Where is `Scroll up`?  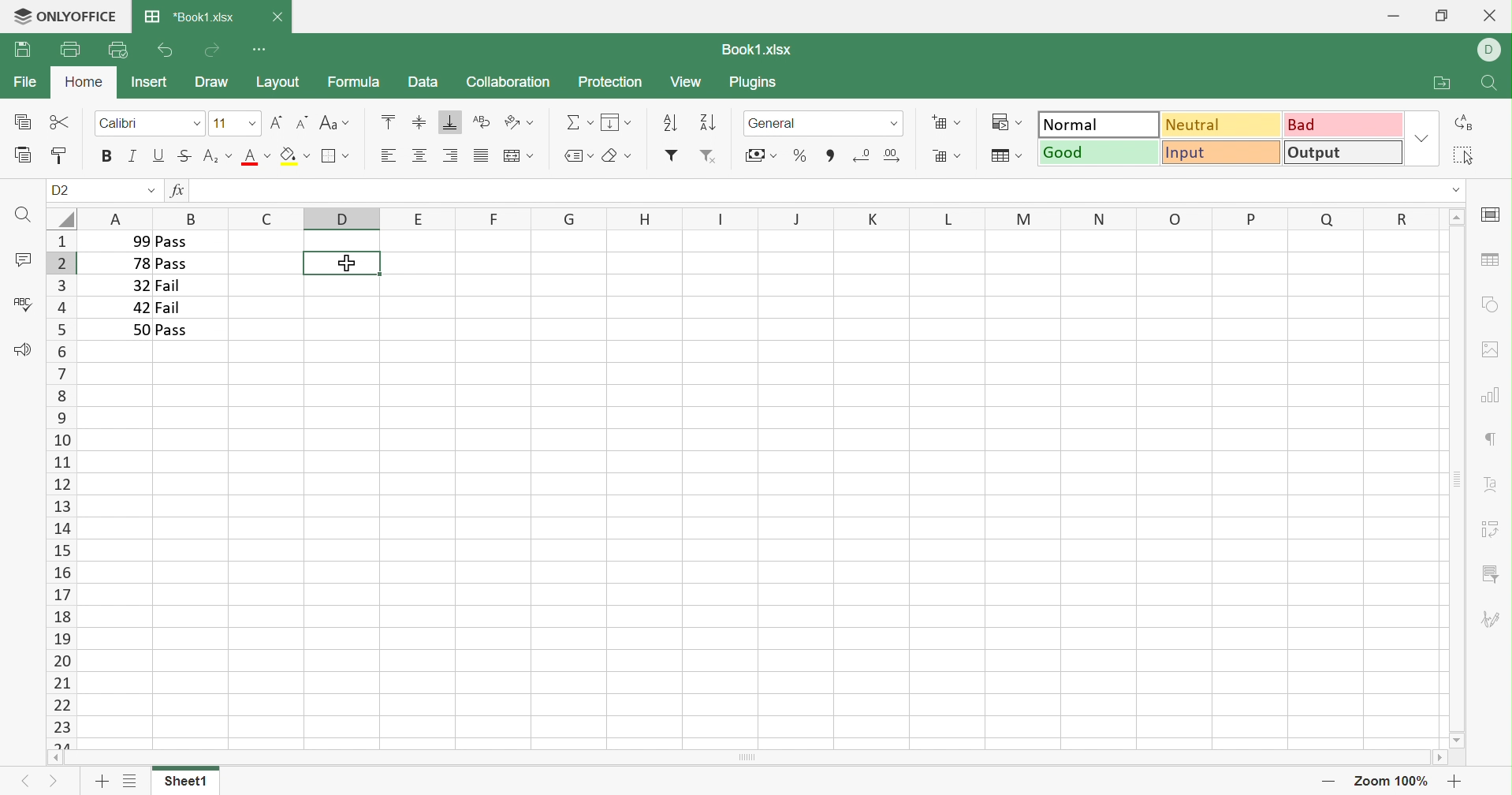 Scroll up is located at coordinates (1458, 215).